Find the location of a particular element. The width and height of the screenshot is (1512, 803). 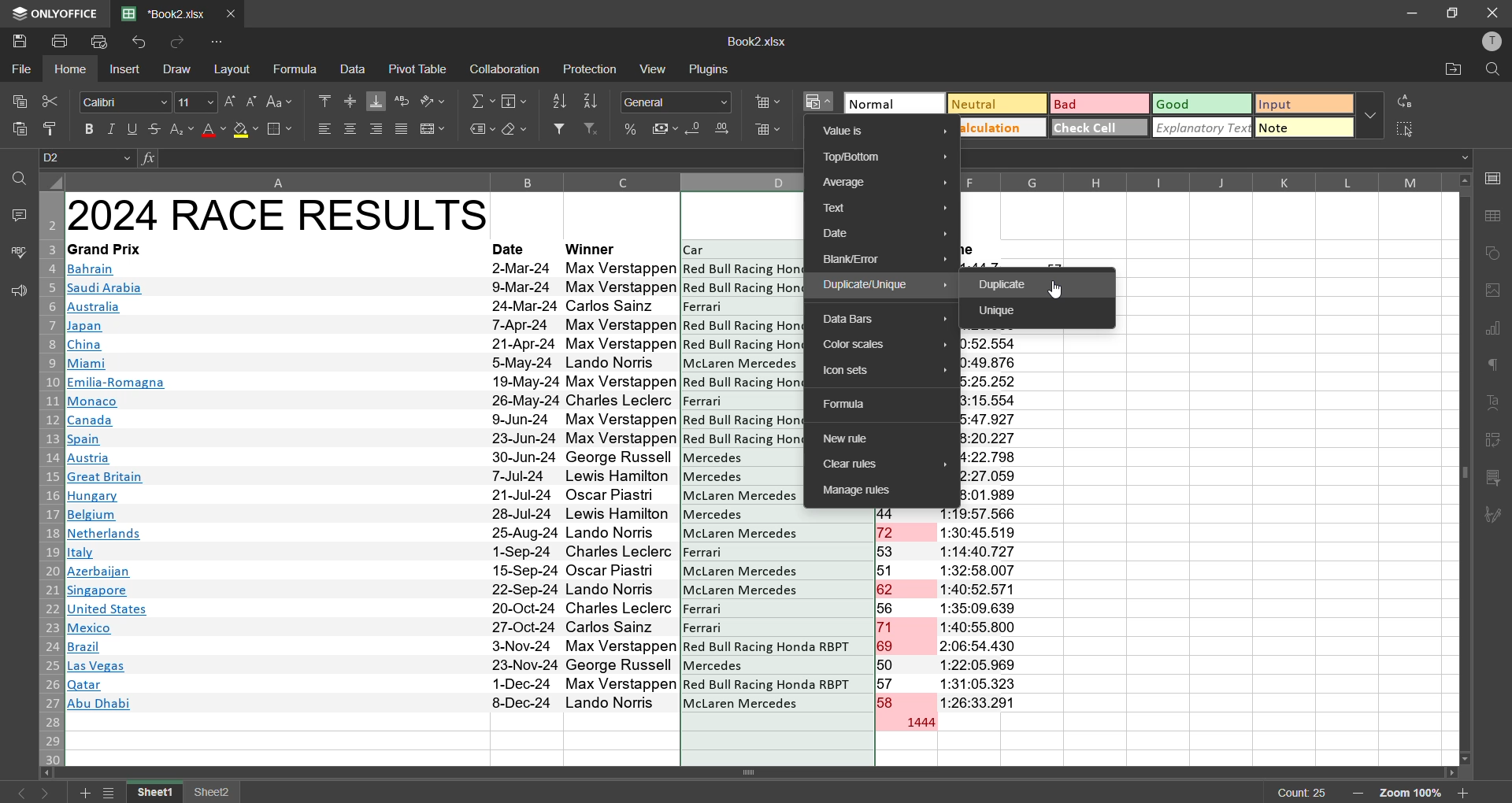

font style is located at coordinates (126, 102).